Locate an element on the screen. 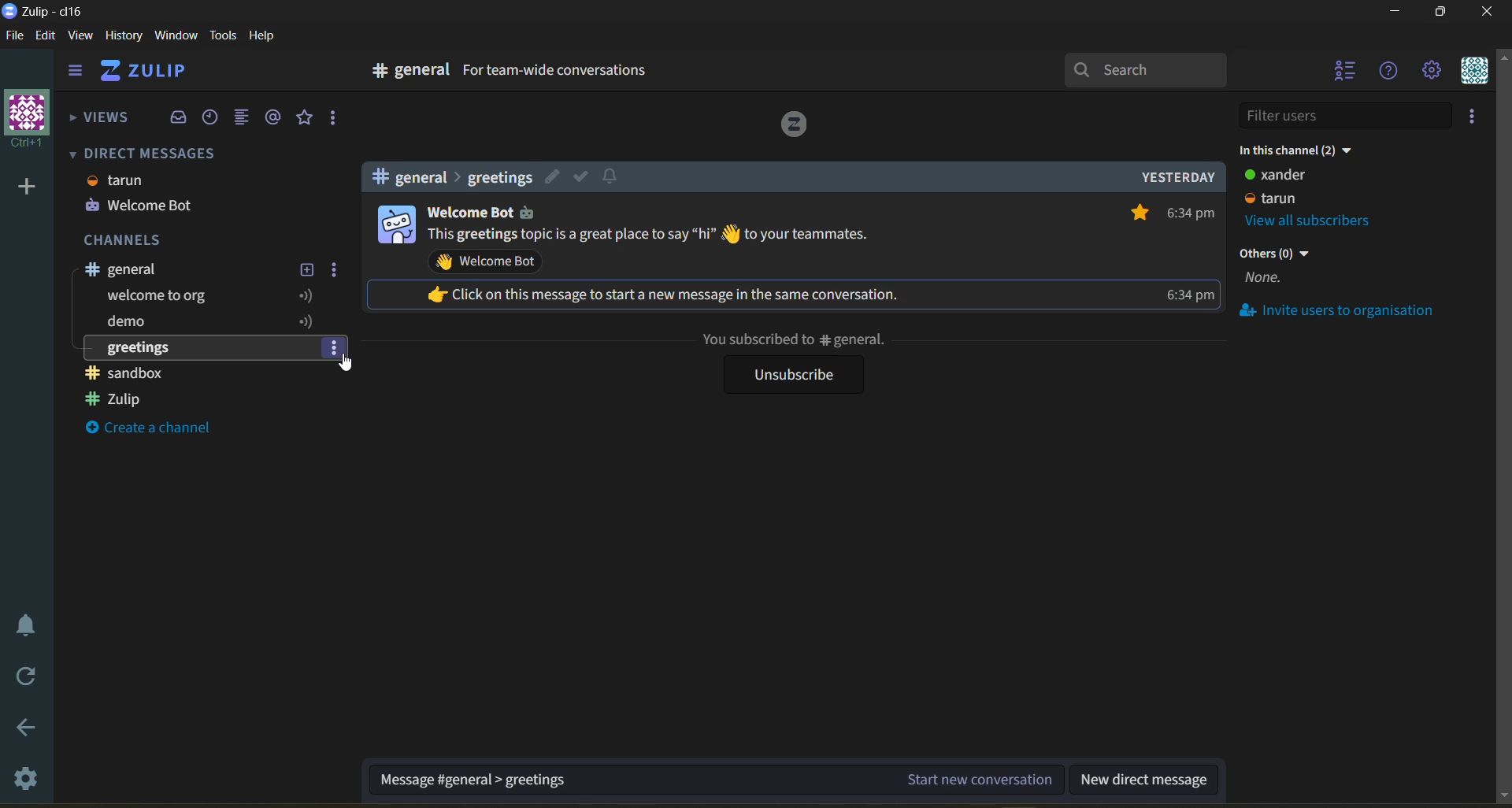 Image resolution: width=1512 pixels, height=808 pixels. invite users to organisation is located at coordinates (1351, 313).